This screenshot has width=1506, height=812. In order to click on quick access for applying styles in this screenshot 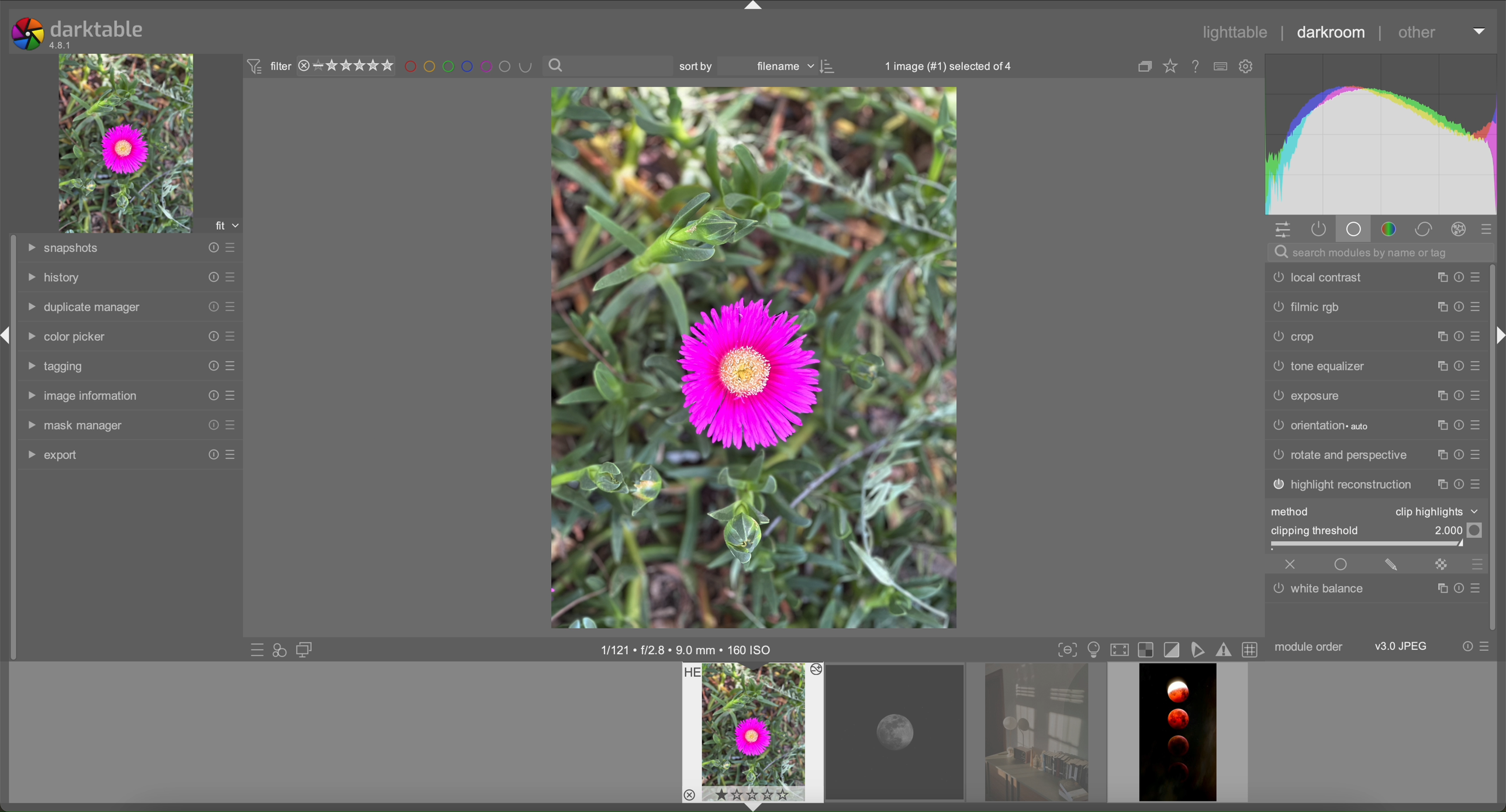, I will do `click(281, 649)`.